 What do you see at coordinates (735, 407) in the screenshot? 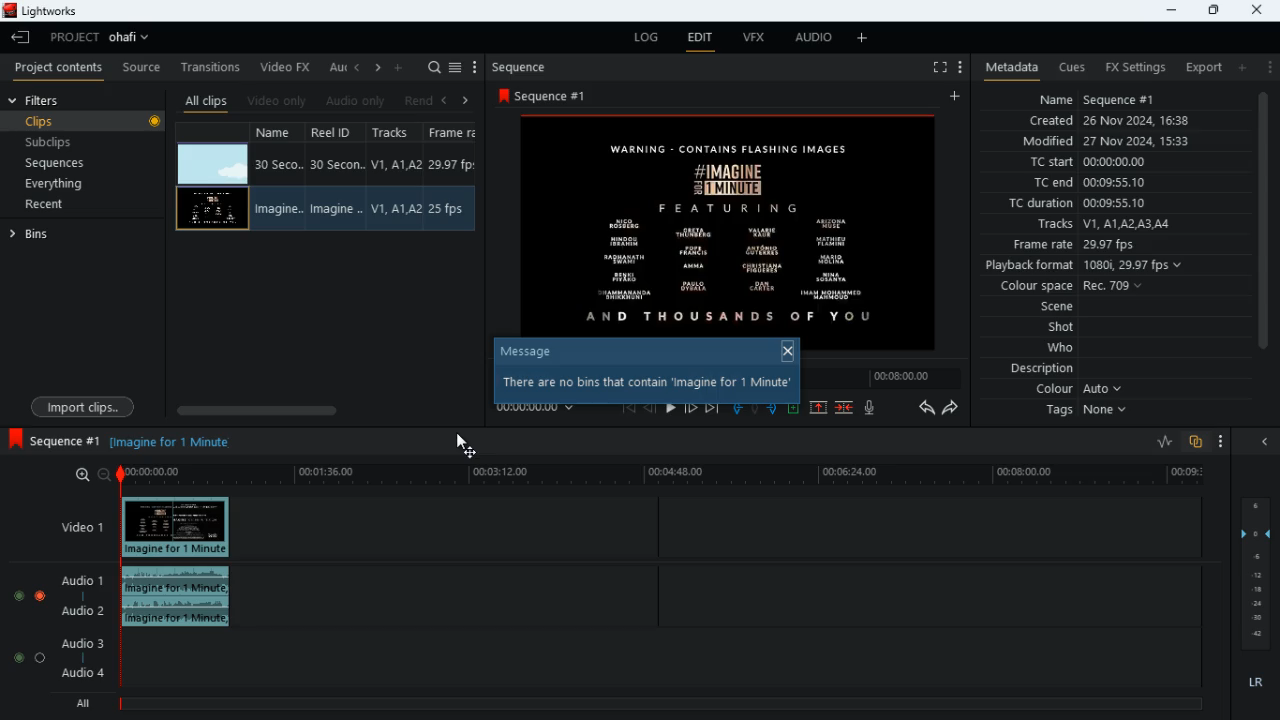
I see `pull` at bounding box center [735, 407].